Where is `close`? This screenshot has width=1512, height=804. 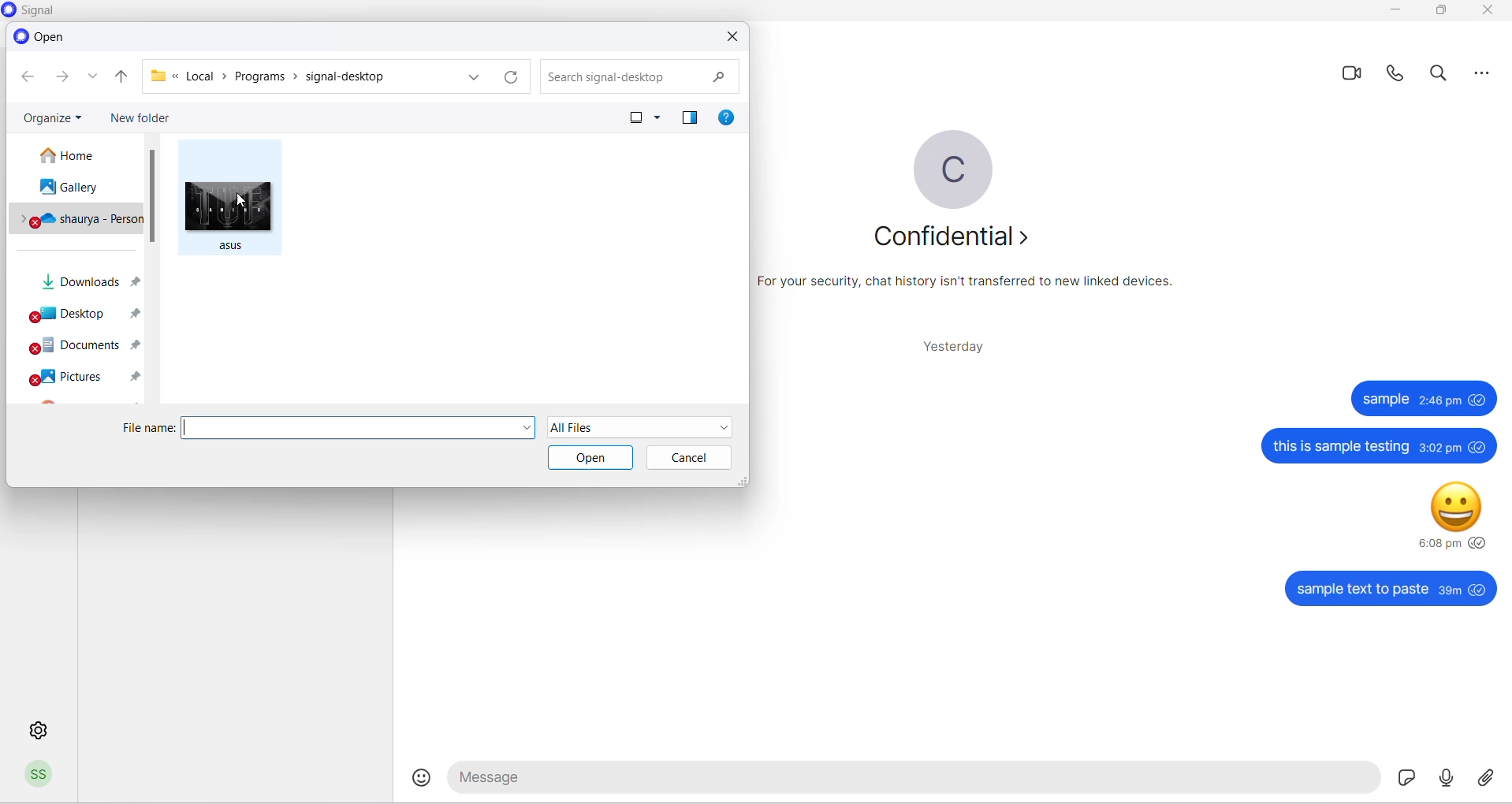 close is located at coordinates (1486, 13).